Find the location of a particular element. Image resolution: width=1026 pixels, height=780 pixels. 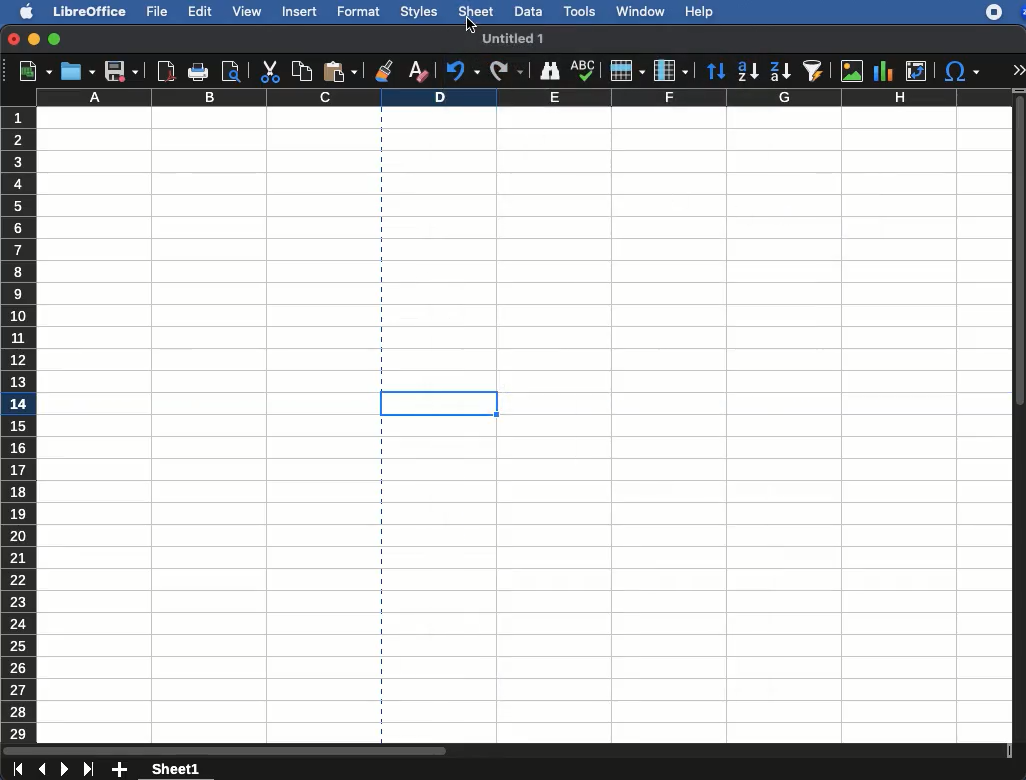

autofilter is located at coordinates (814, 71).